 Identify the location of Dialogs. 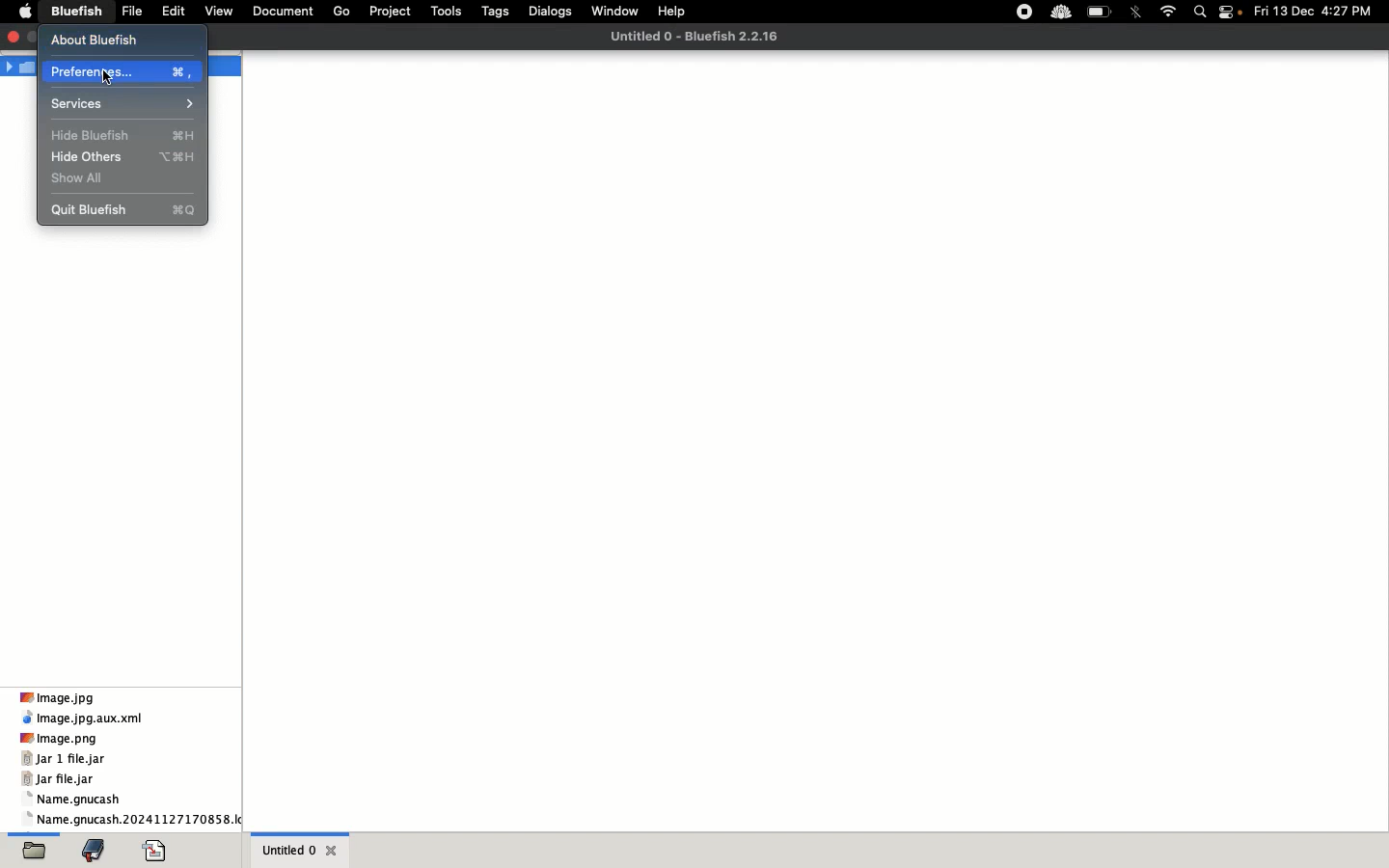
(551, 12).